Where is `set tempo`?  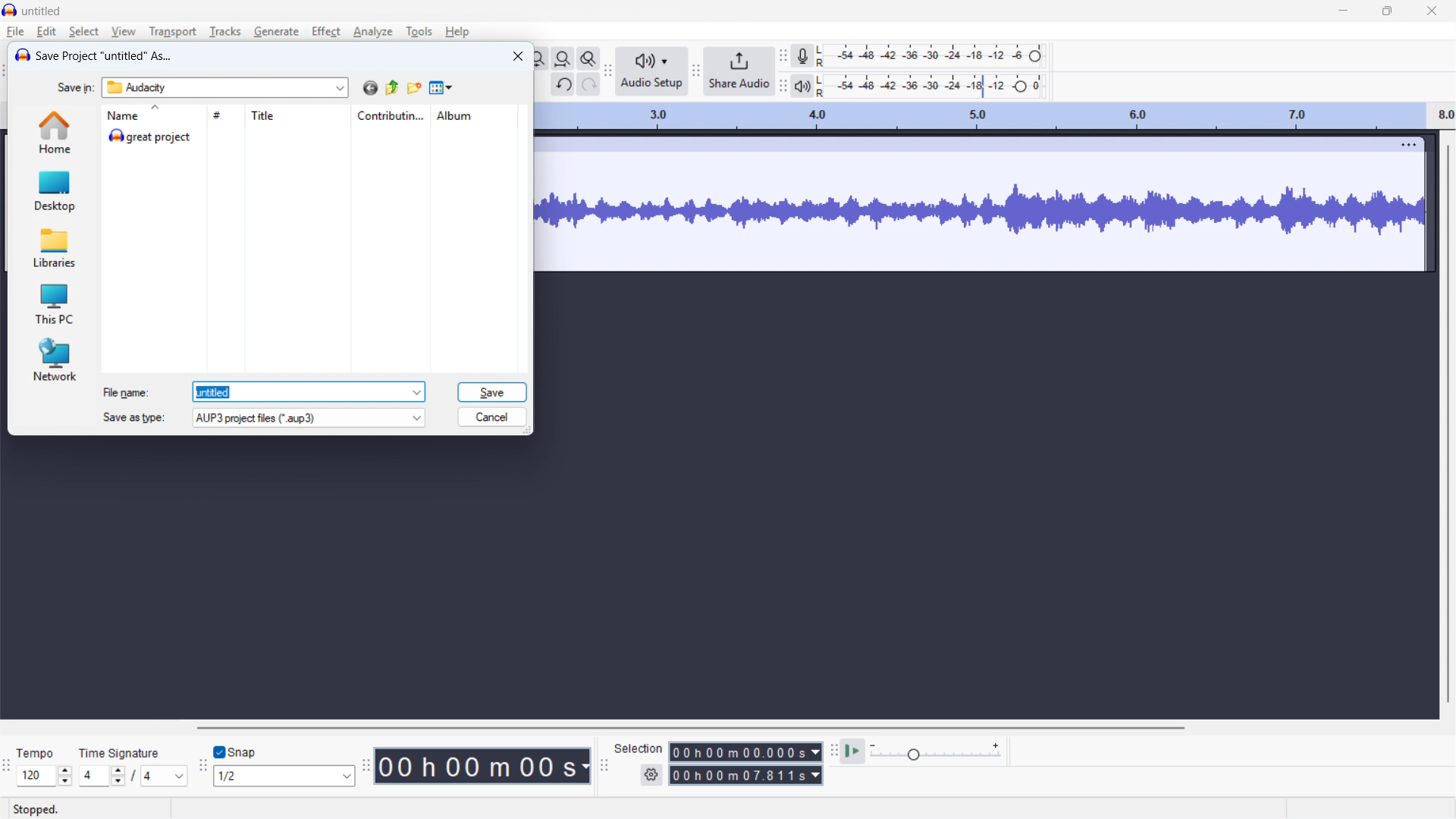 set tempo is located at coordinates (44, 776).